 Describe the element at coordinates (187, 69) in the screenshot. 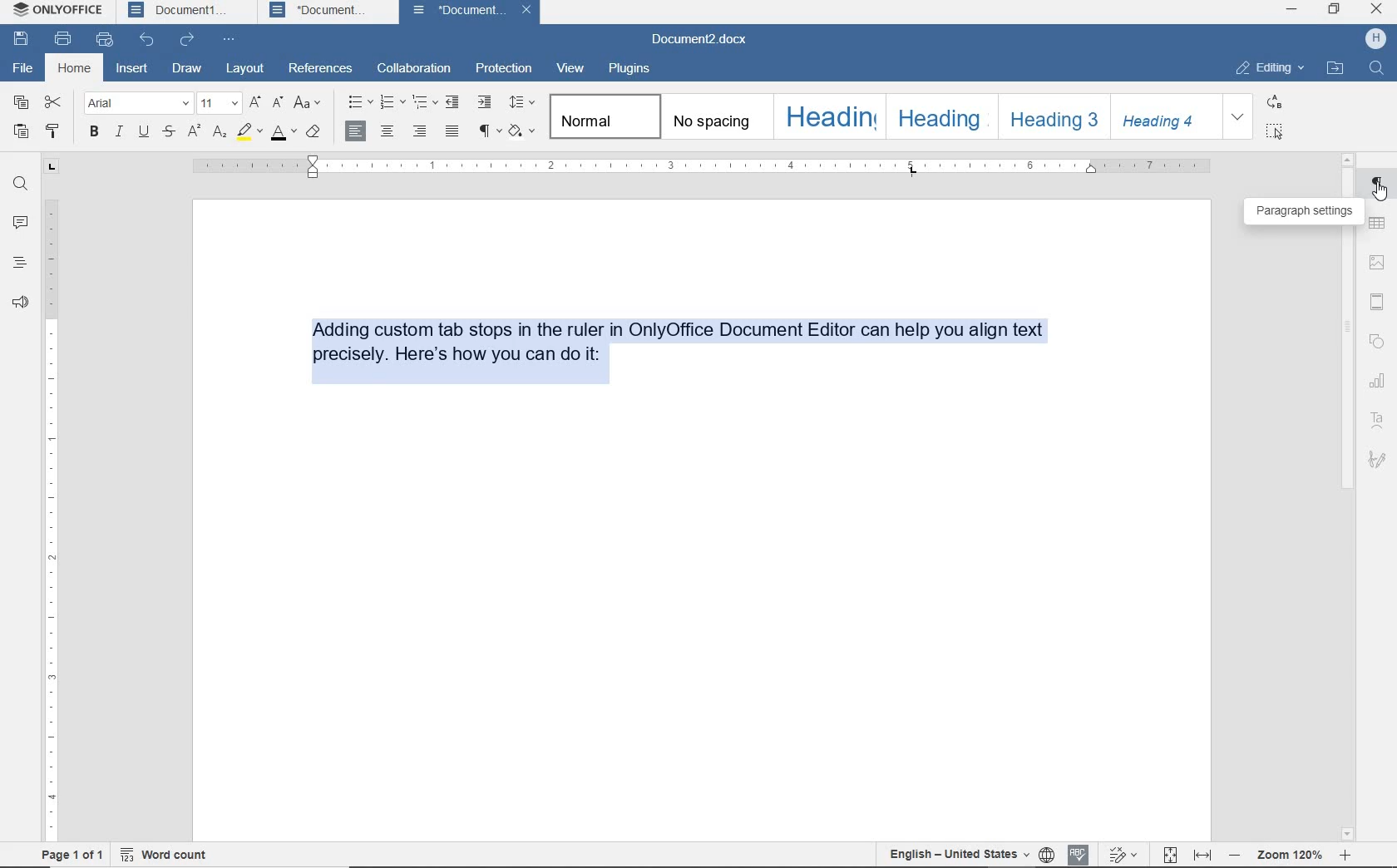

I see `draw` at that location.